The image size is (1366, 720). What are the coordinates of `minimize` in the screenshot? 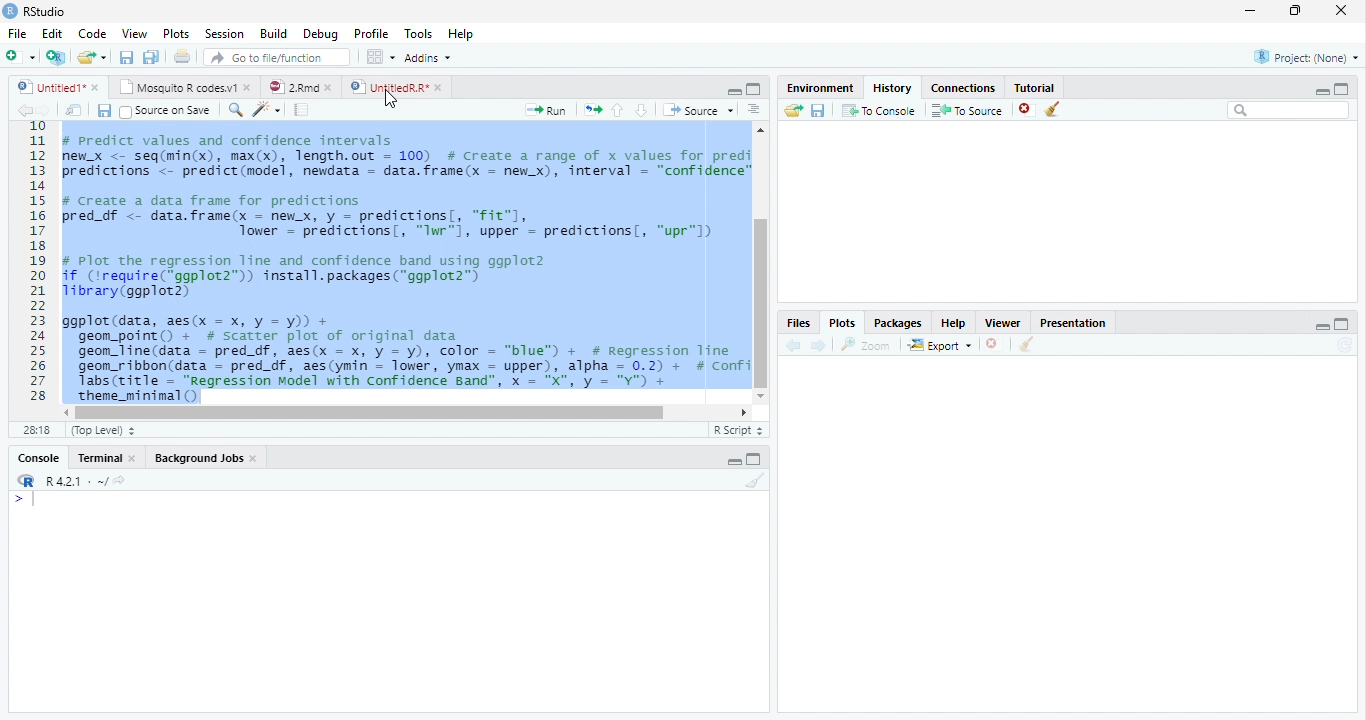 It's located at (734, 93).